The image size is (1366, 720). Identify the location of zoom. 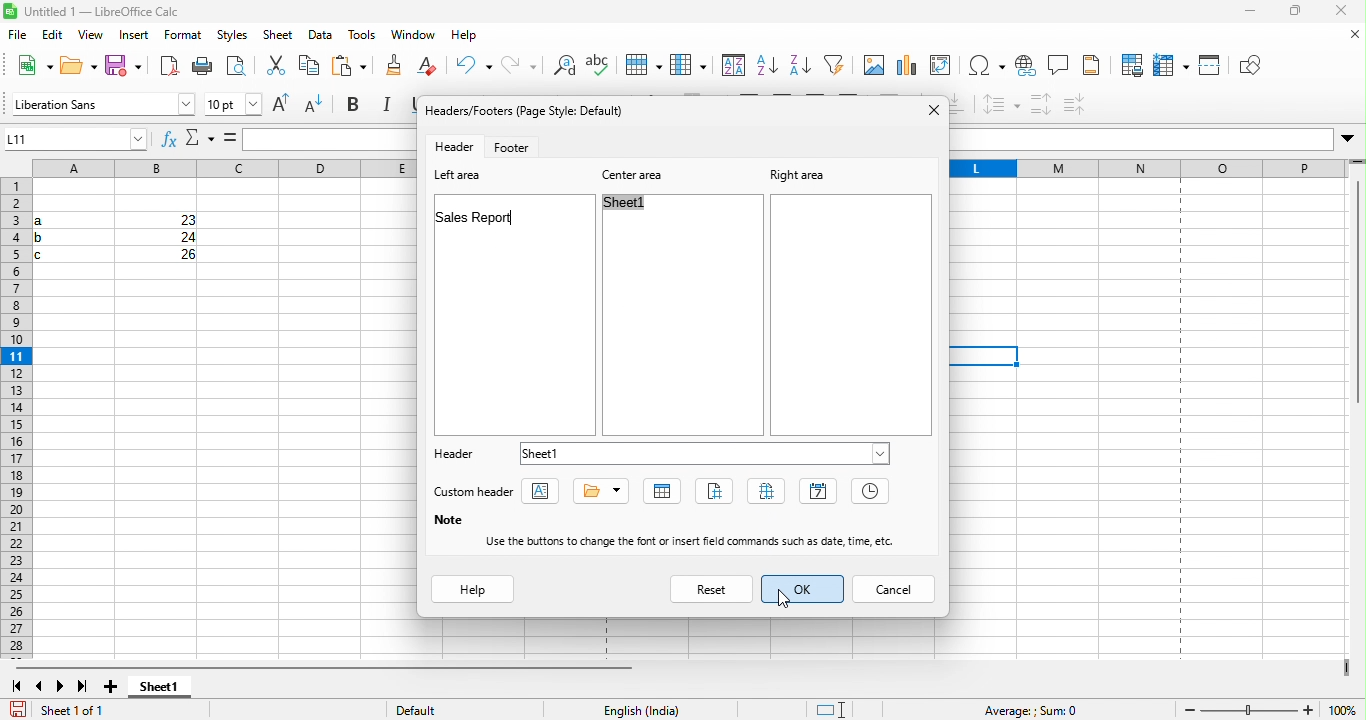
(1252, 707).